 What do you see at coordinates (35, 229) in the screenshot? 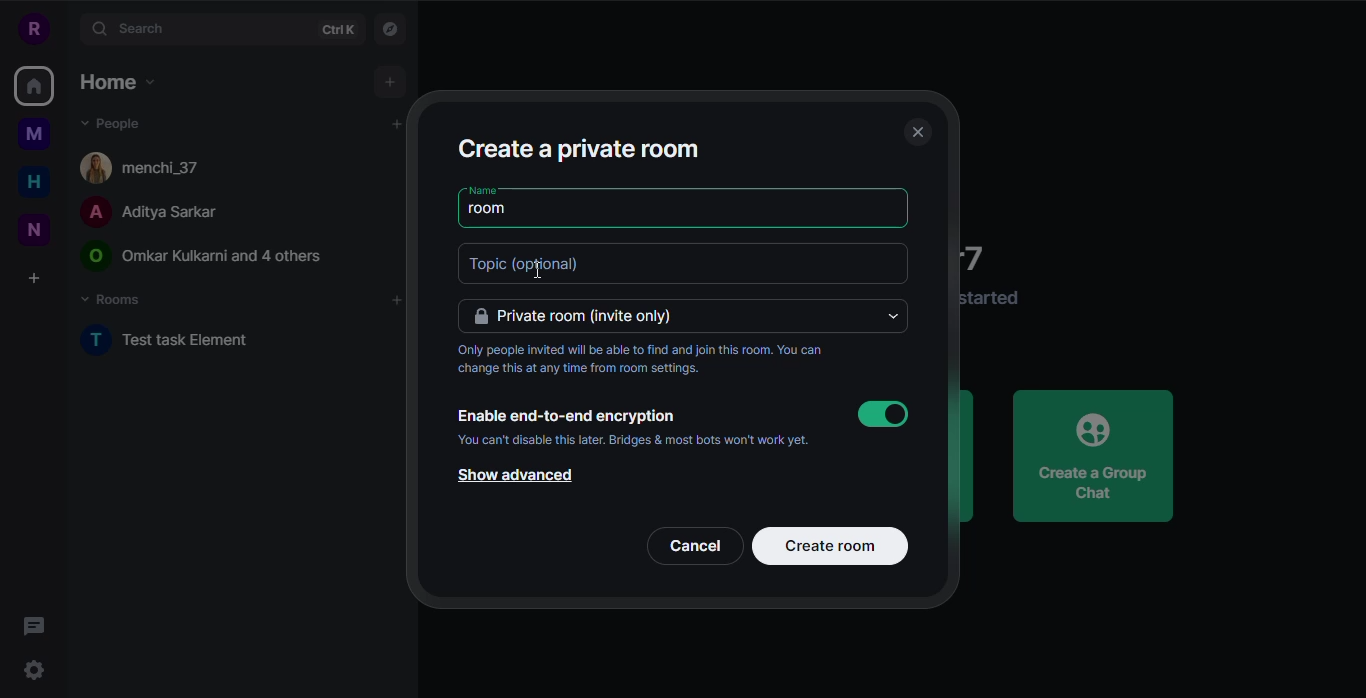
I see `new` at bounding box center [35, 229].